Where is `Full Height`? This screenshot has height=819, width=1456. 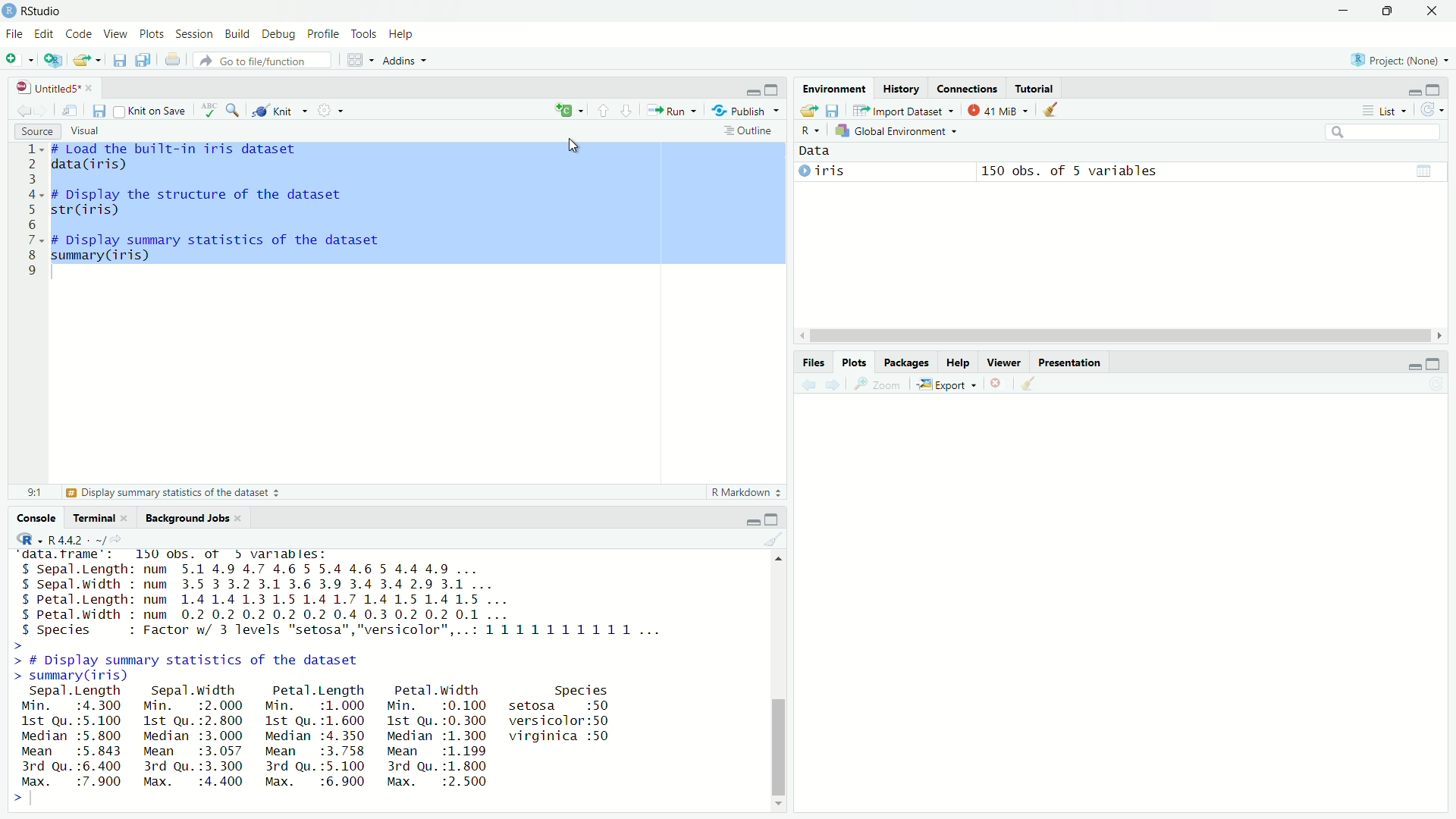
Full Height is located at coordinates (1434, 363).